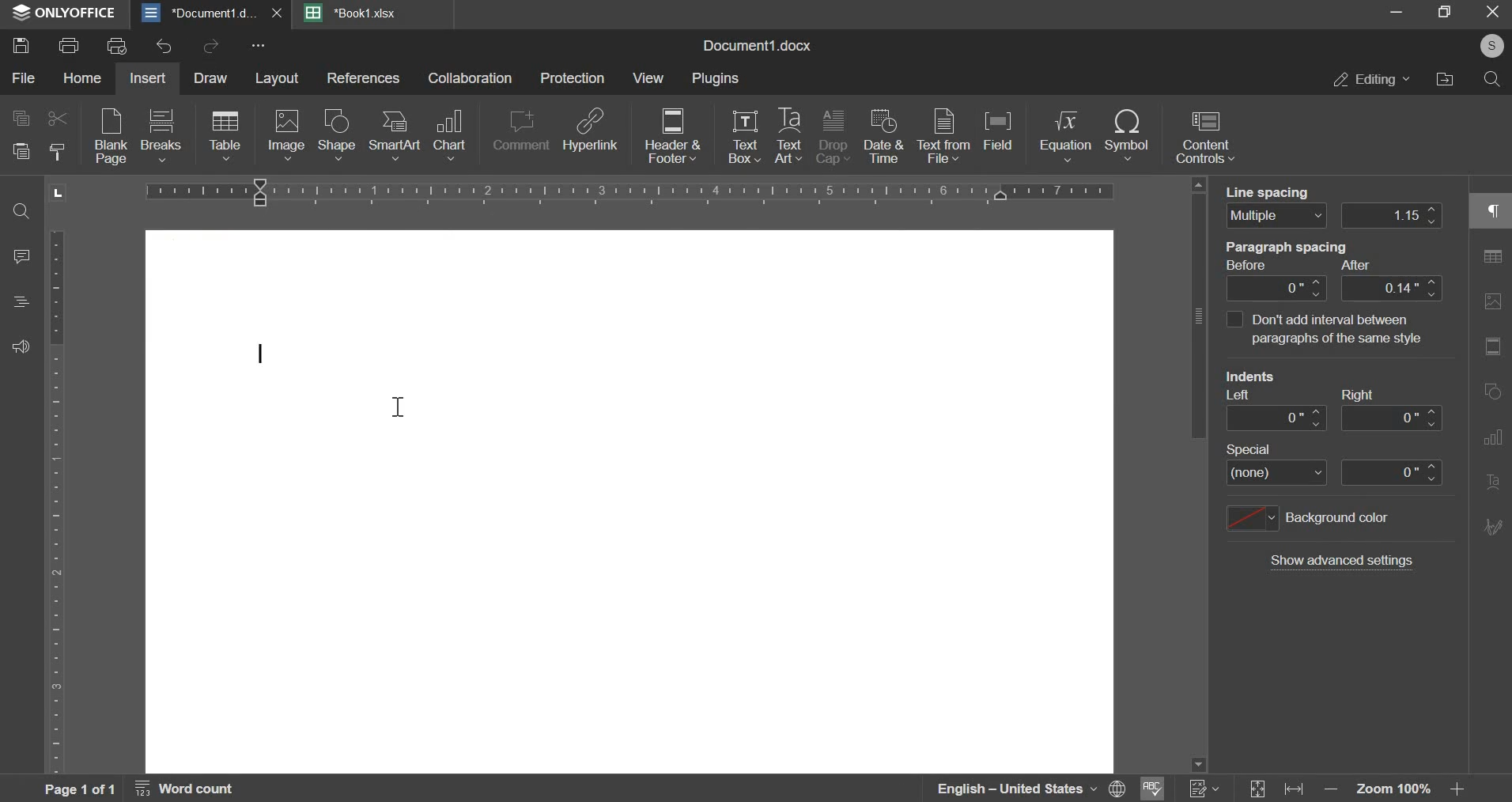  What do you see at coordinates (210, 47) in the screenshot?
I see `redo` at bounding box center [210, 47].